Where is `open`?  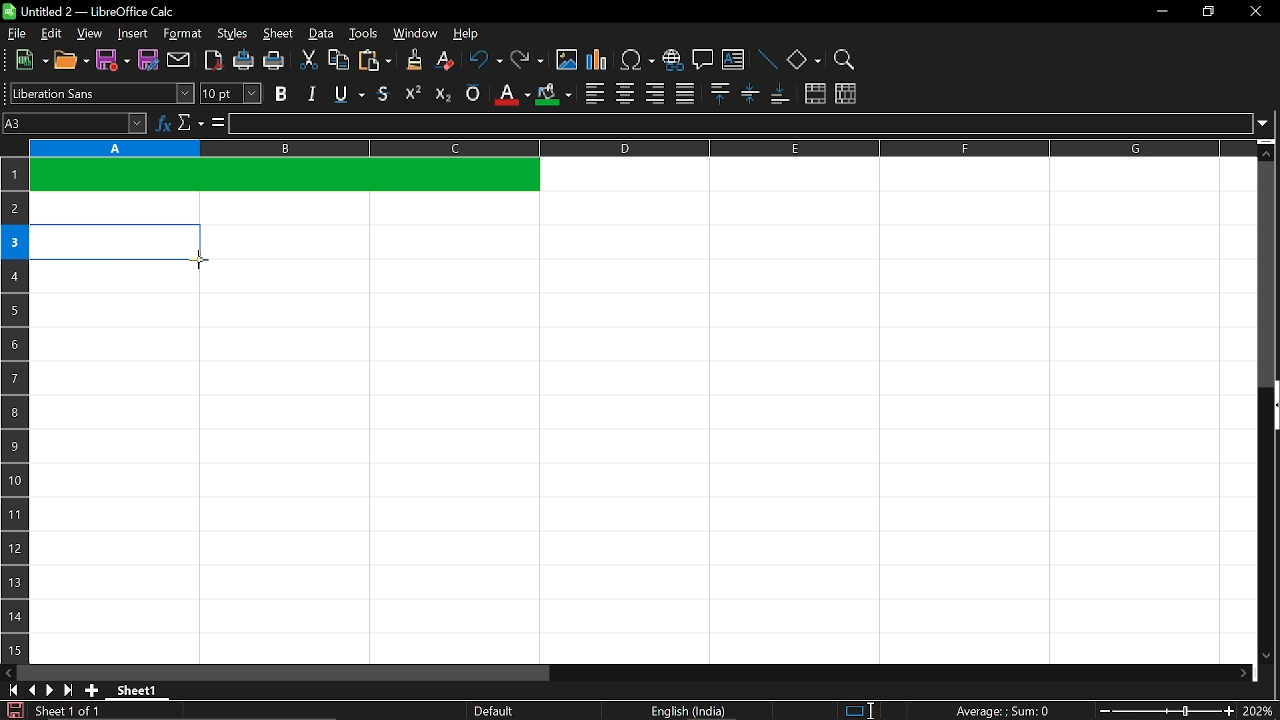
open is located at coordinates (71, 62).